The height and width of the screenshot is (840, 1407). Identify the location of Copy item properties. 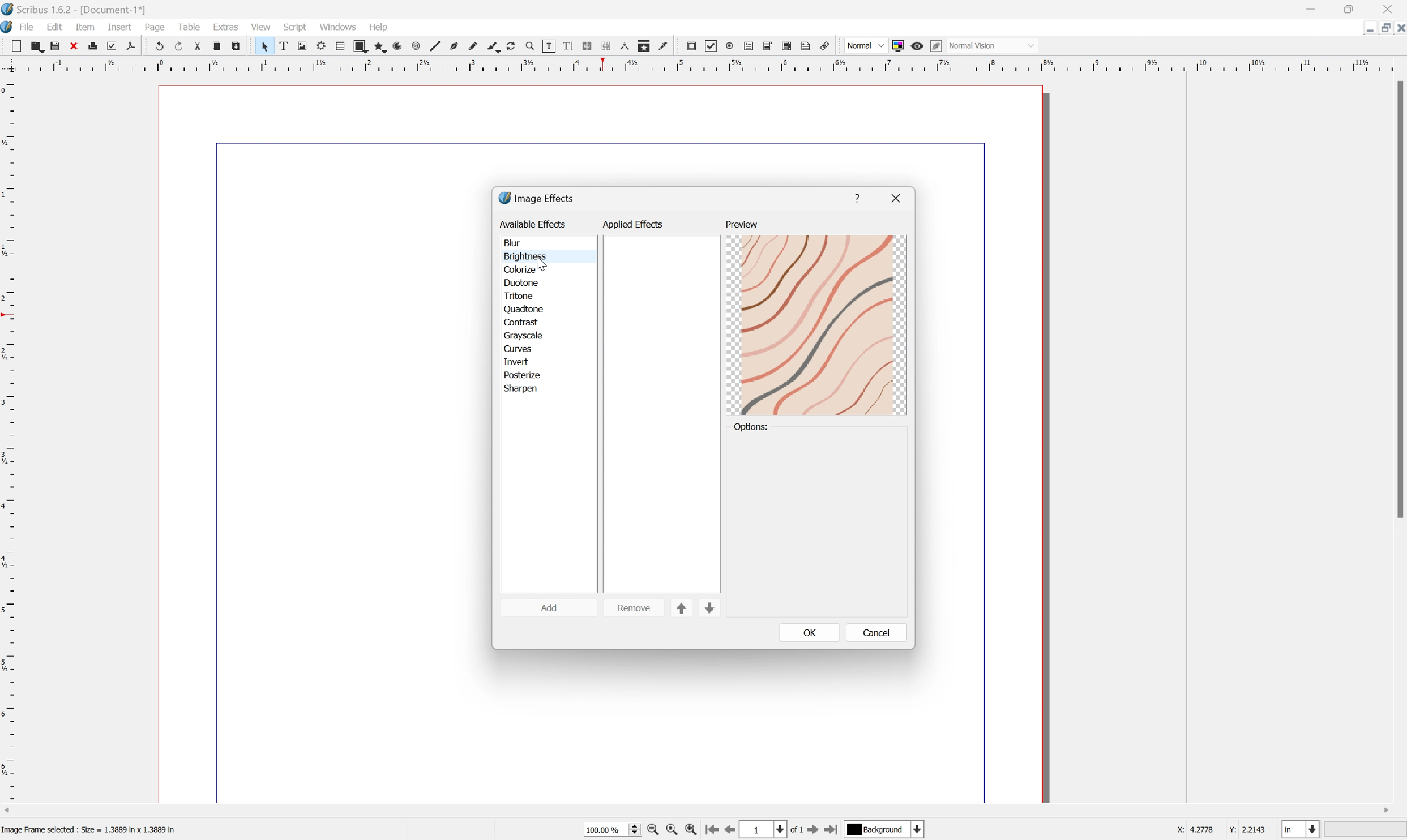
(647, 46).